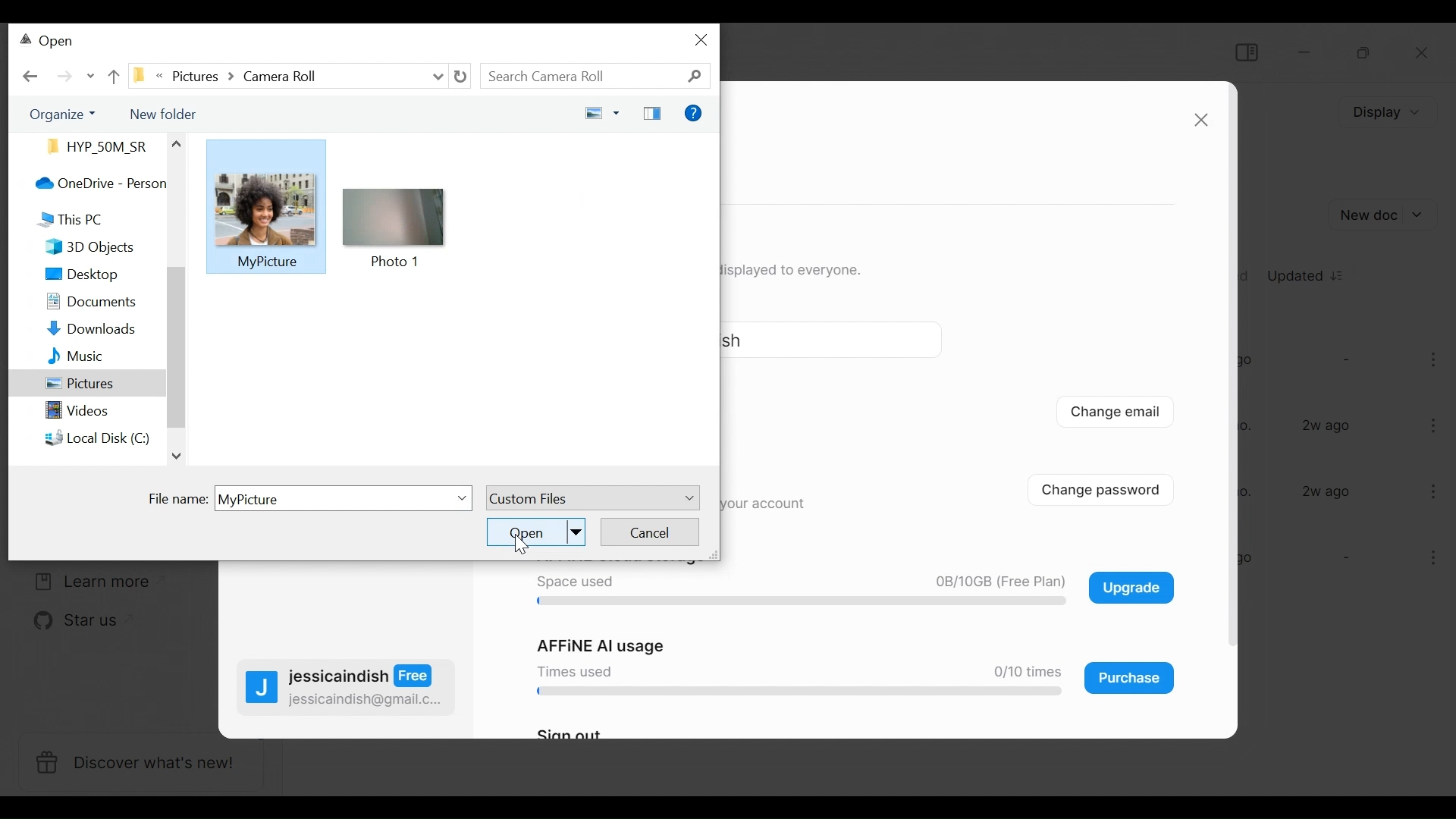 The image size is (1456, 819). I want to click on Close, so click(1423, 55).